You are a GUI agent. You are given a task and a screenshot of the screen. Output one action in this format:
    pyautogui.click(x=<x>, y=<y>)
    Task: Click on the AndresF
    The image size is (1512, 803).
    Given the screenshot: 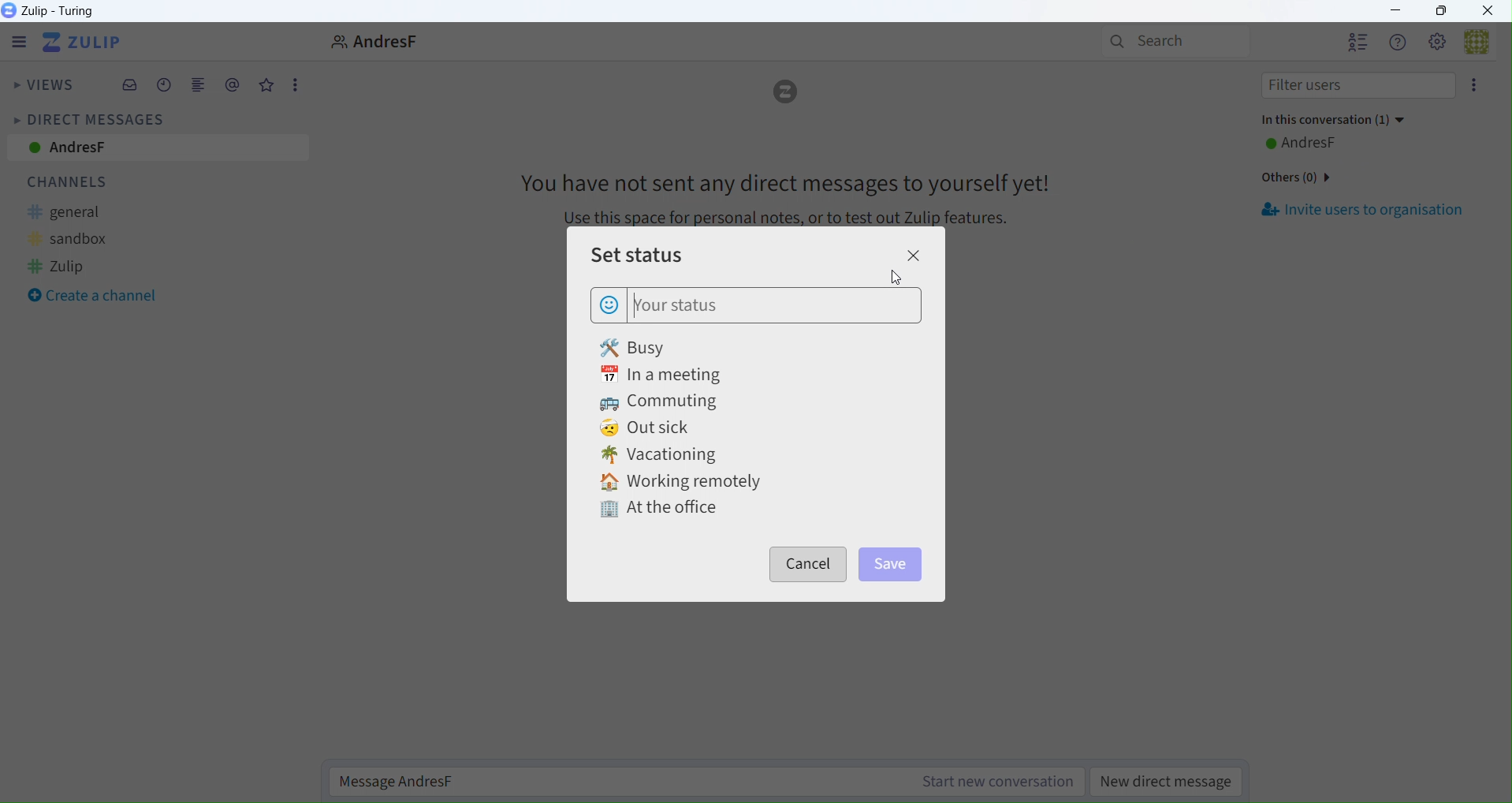 What is the action you would take?
    pyautogui.click(x=1320, y=142)
    